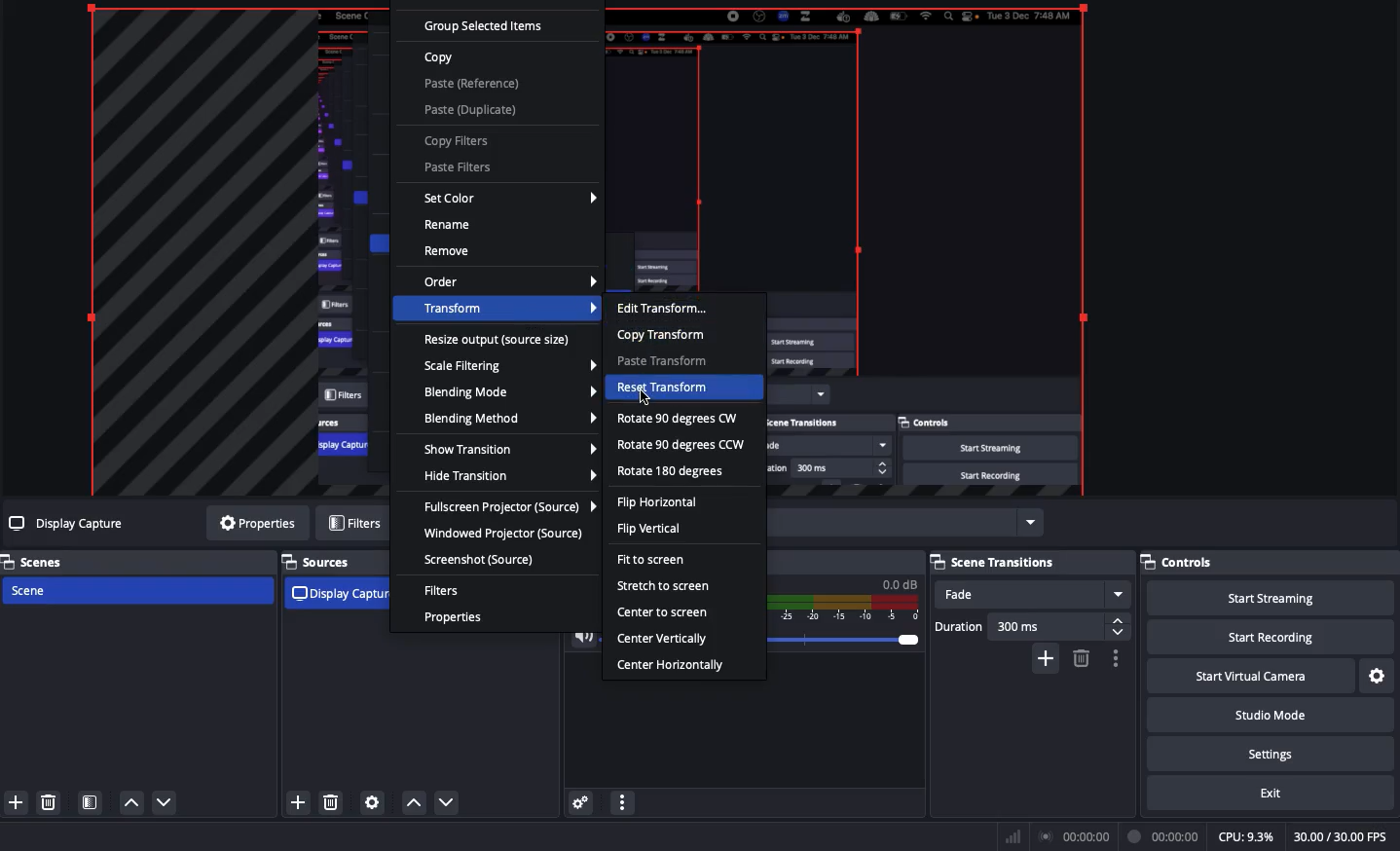  Describe the element at coordinates (1029, 627) in the screenshot. I see `Duration` at that location.